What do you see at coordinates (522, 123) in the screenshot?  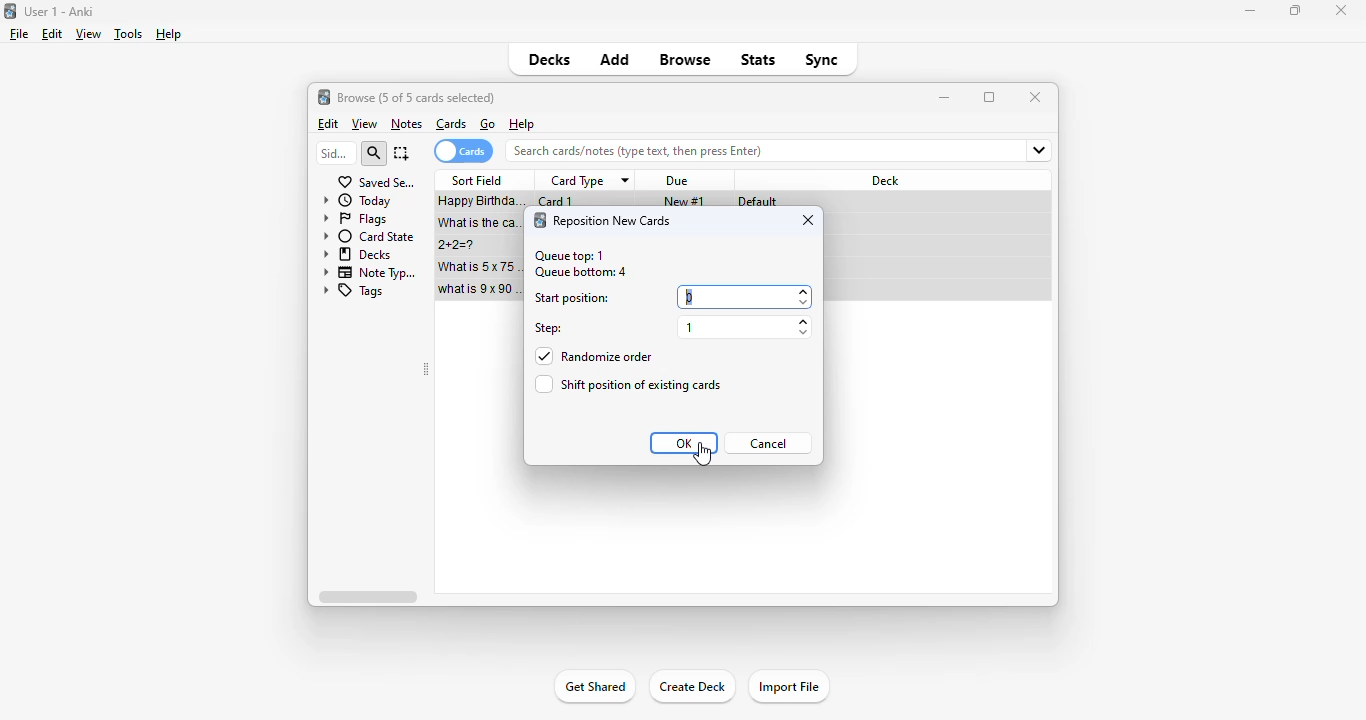 I see `help` at bounding box center [522, 123].